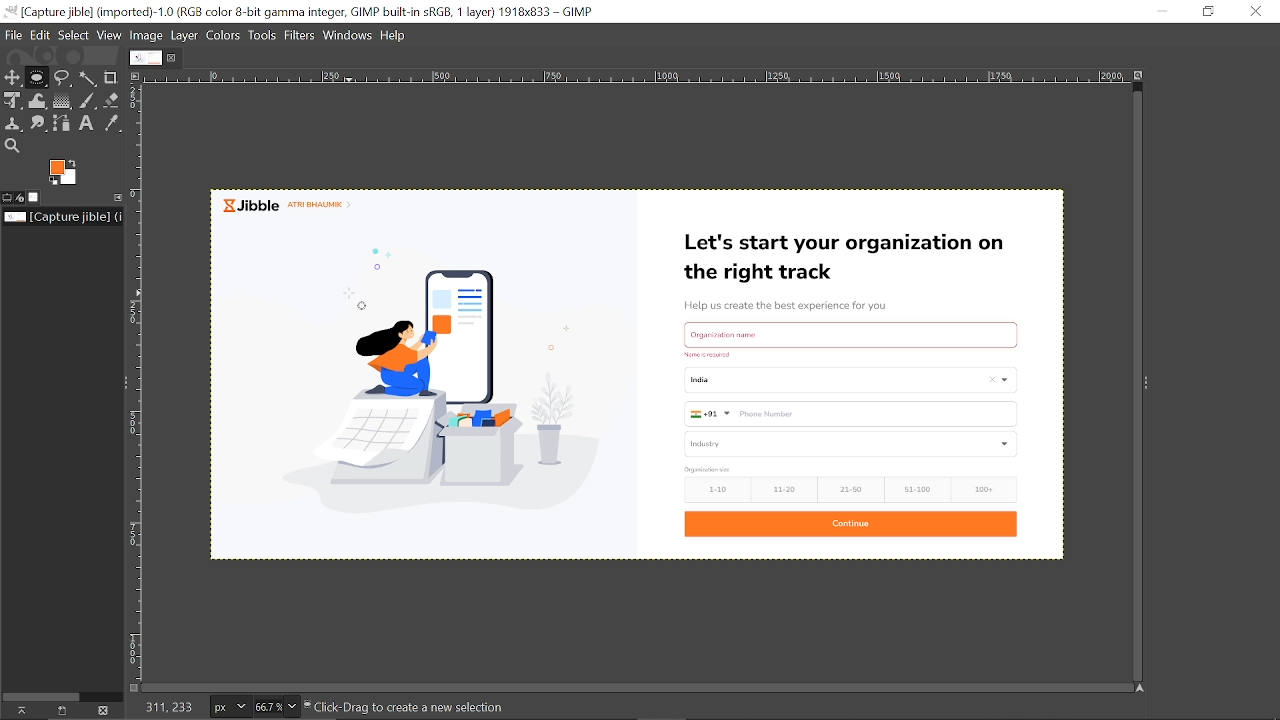 The height and width of the screenshot is (720, 1280). I want to click on horizontal ruler, so click(629, 77).